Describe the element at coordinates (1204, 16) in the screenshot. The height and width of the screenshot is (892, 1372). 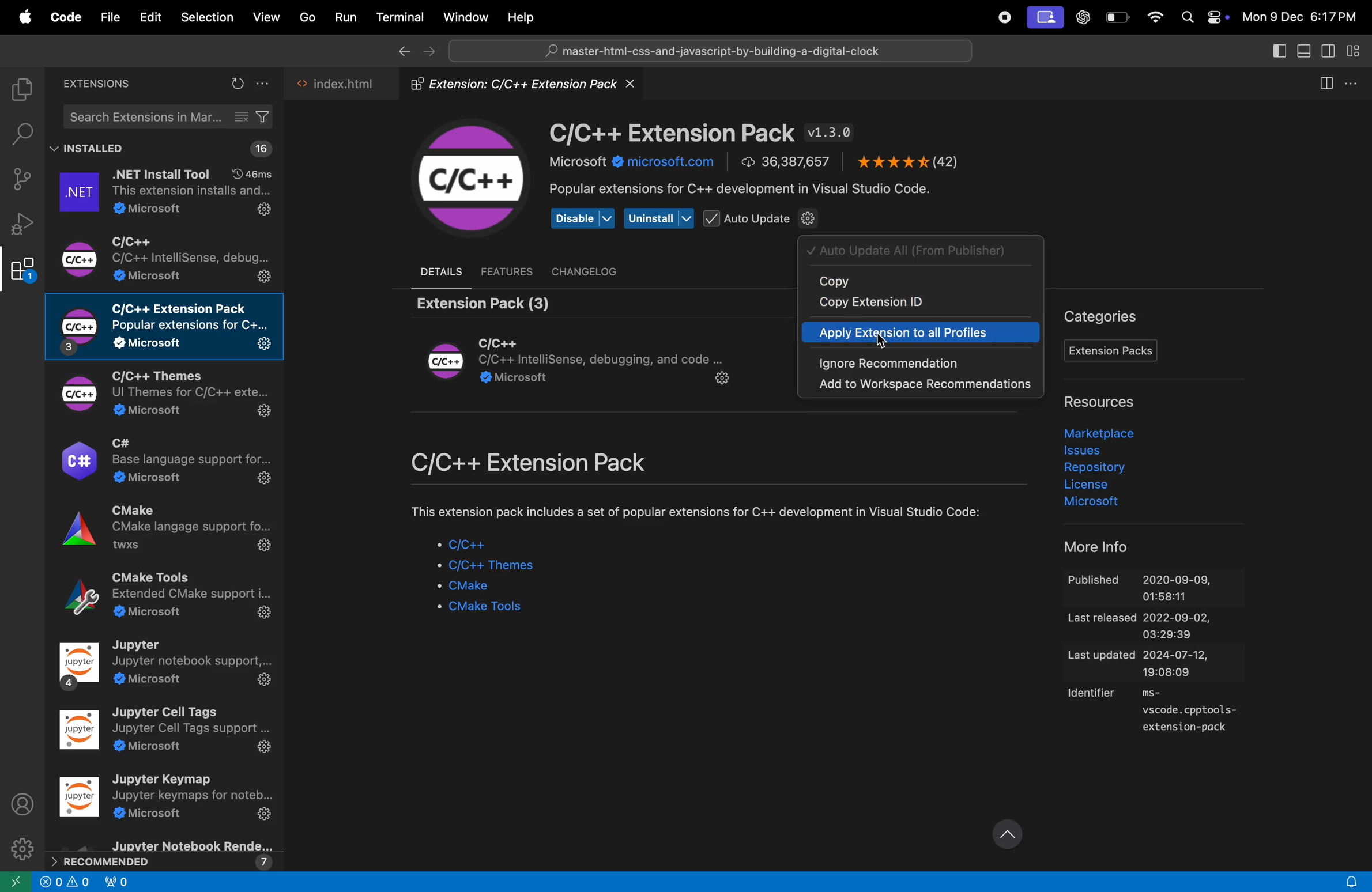
I see `apple widgets` at that location.